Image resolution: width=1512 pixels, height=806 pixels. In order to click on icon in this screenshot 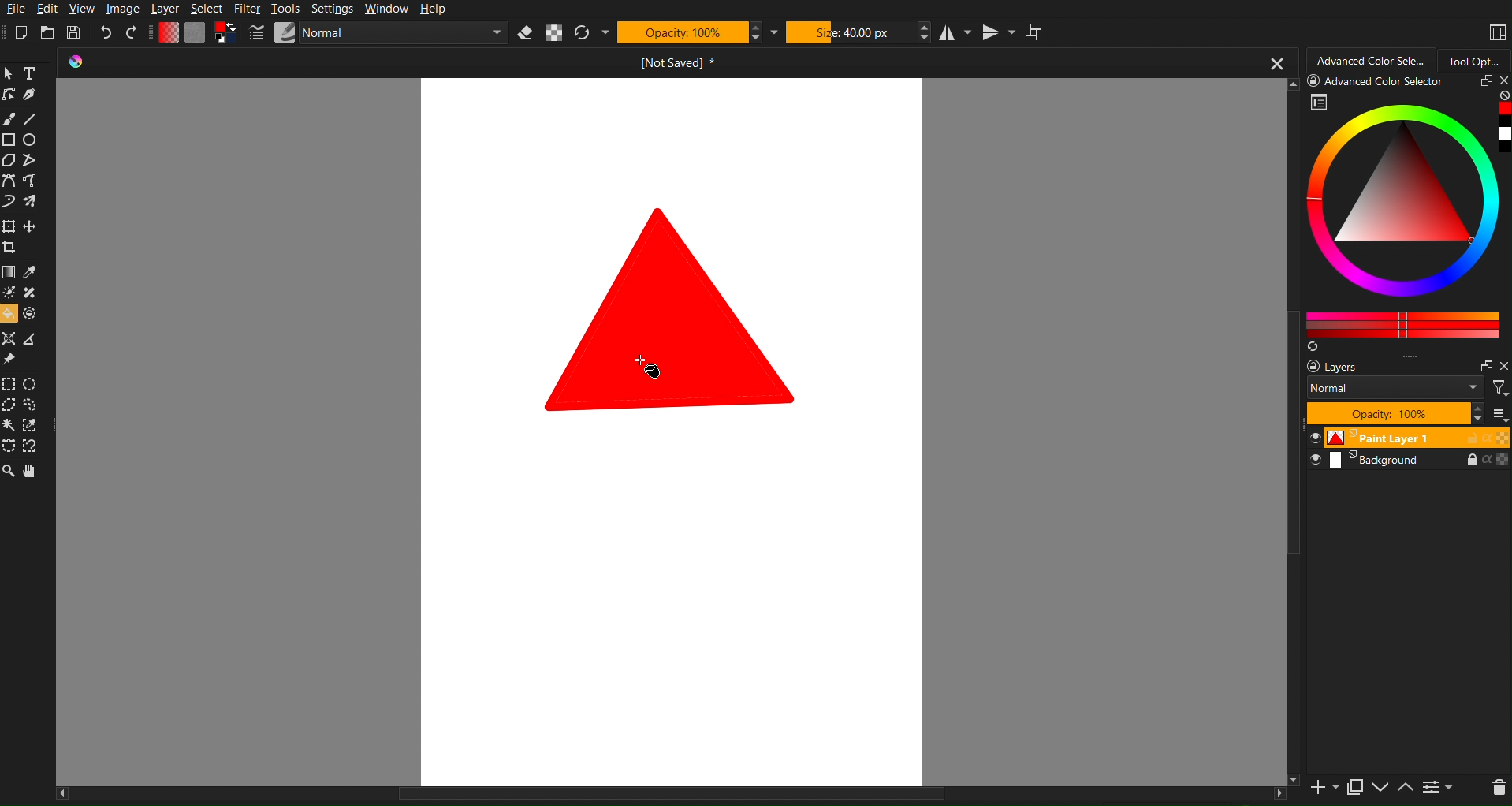, I will do `click(83, 63)`.